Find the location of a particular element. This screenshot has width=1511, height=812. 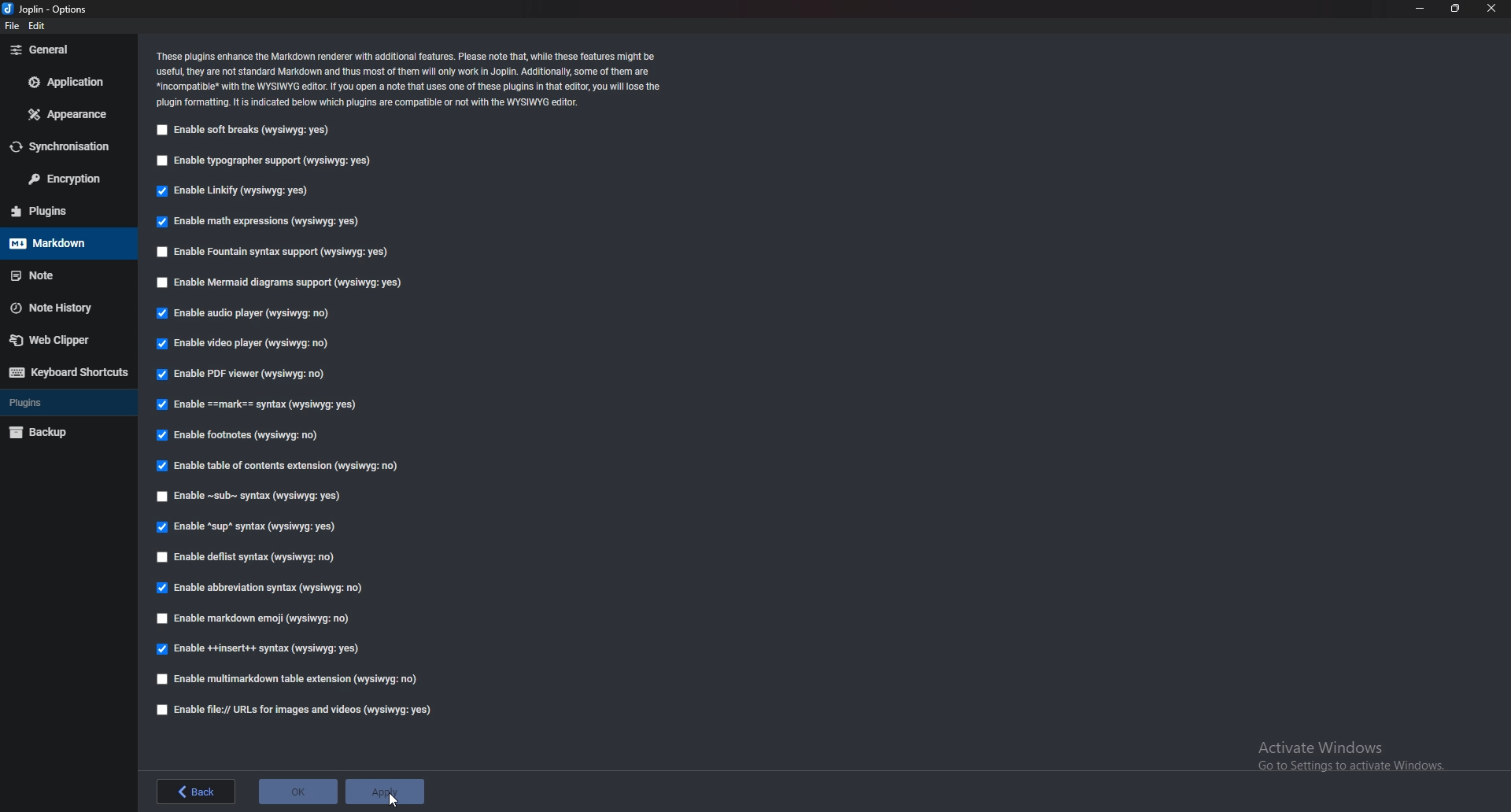

Enable audio player is located at coordinates (246, 312).